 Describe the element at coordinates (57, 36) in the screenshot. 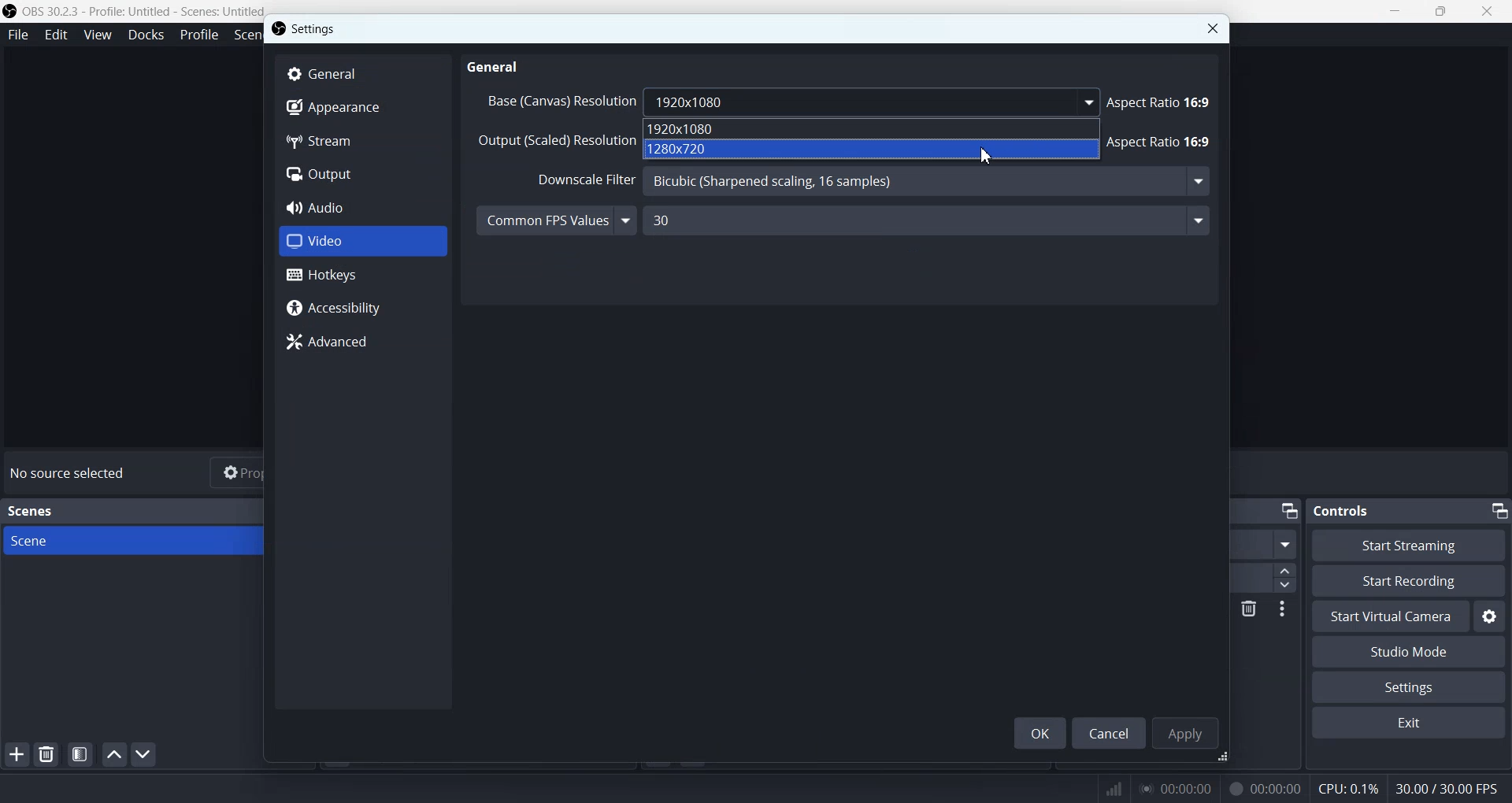

I see `Edit` at that location.